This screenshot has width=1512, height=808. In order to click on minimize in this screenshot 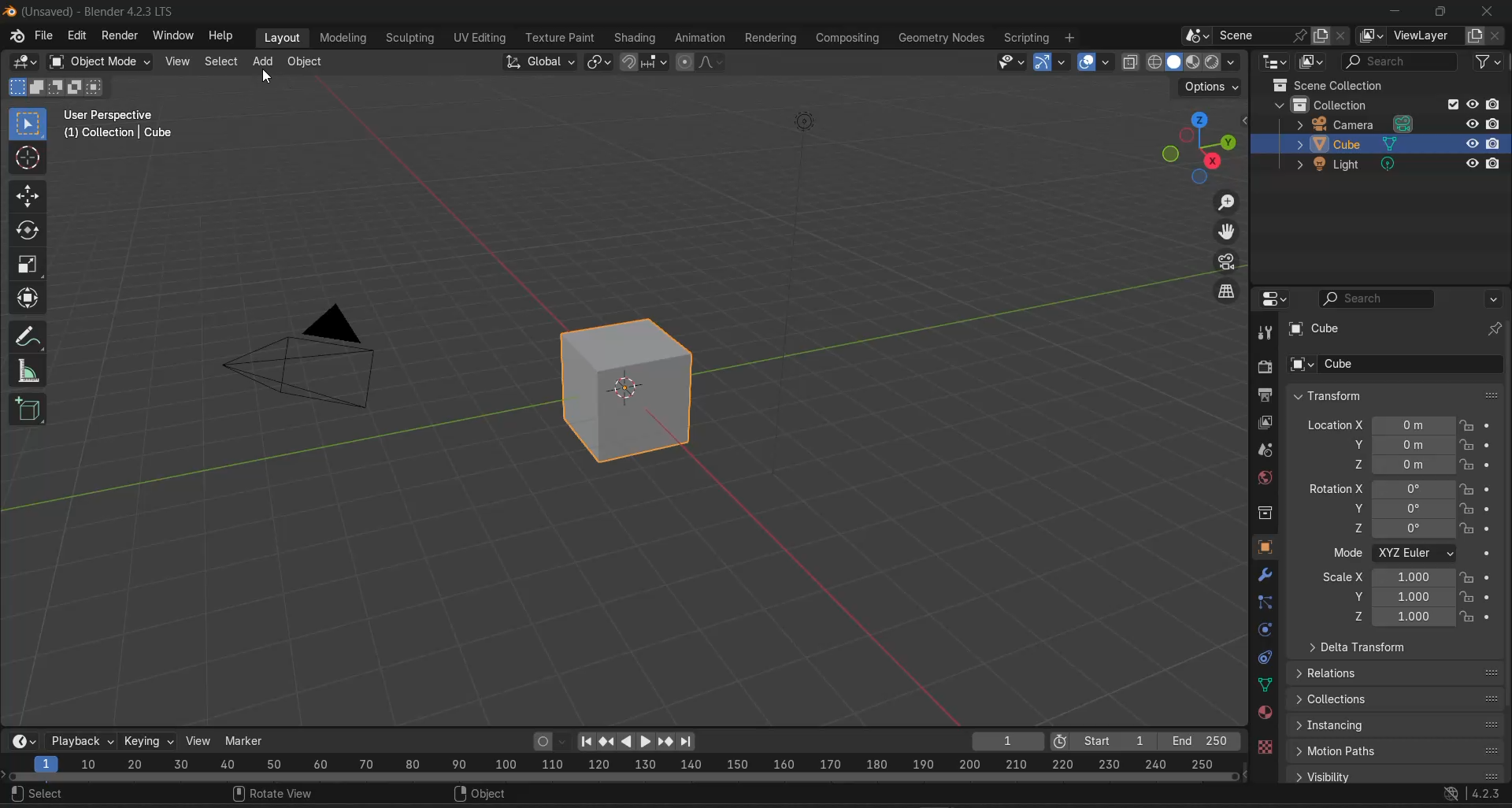, I will do `click(1394, 12)`.